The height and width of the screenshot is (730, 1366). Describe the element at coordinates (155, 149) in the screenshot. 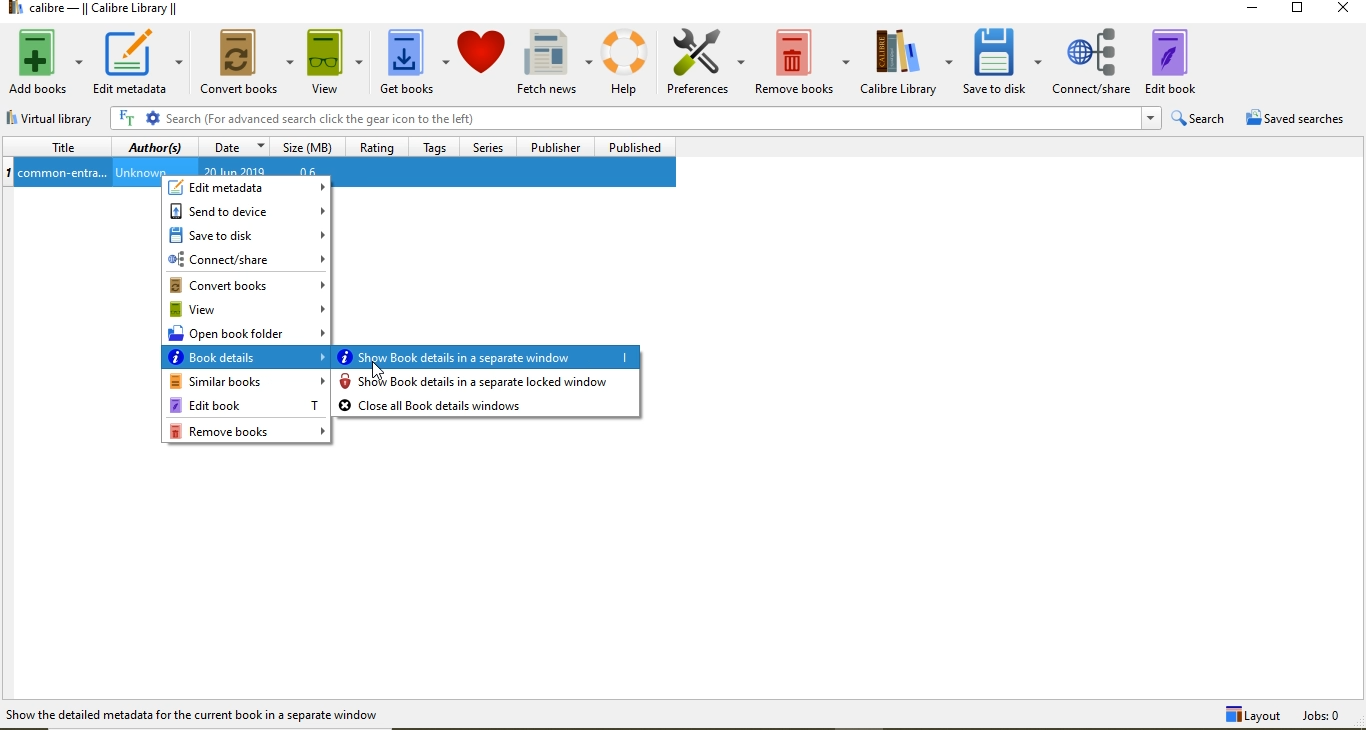

I see `author(s)` at that location.